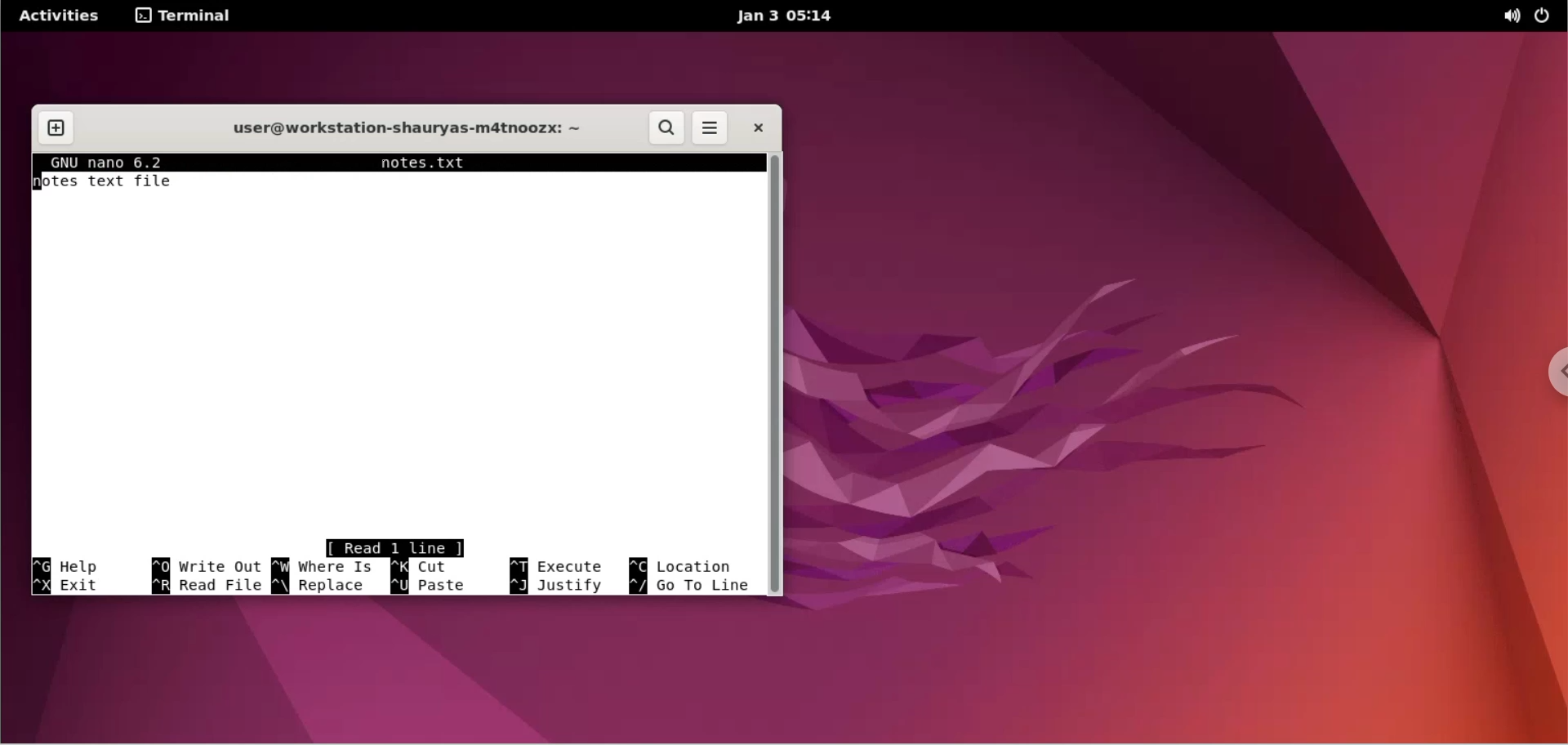 Image resolution: width=1568 pixels, height=745 pixels. Describe the element at coordinates (185, 16) in the screenshot. I see `terminal options` at that location.